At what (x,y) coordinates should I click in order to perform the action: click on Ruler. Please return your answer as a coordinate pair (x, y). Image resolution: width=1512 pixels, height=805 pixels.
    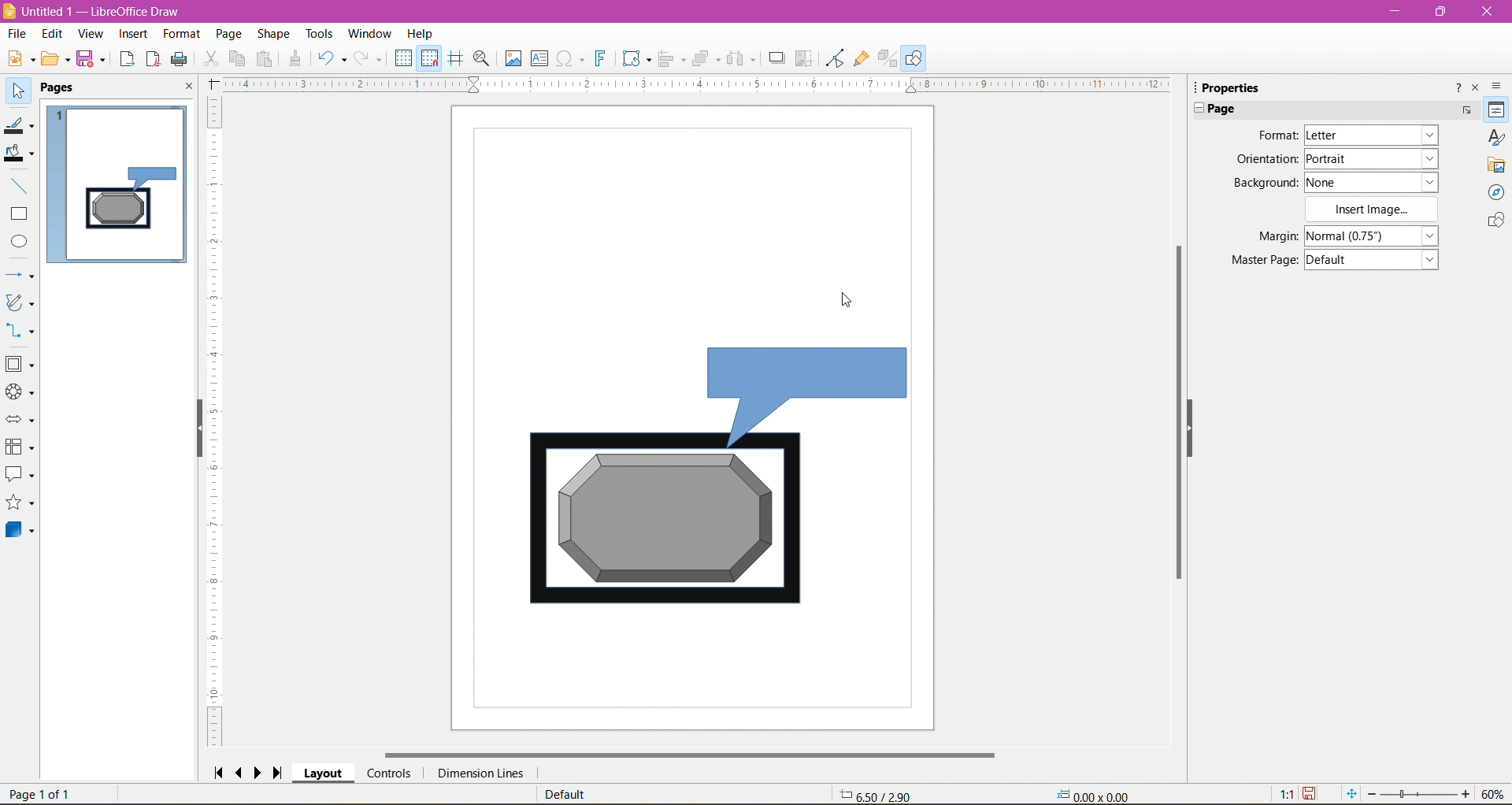
    Looking at the image, I should click on (217, 422).